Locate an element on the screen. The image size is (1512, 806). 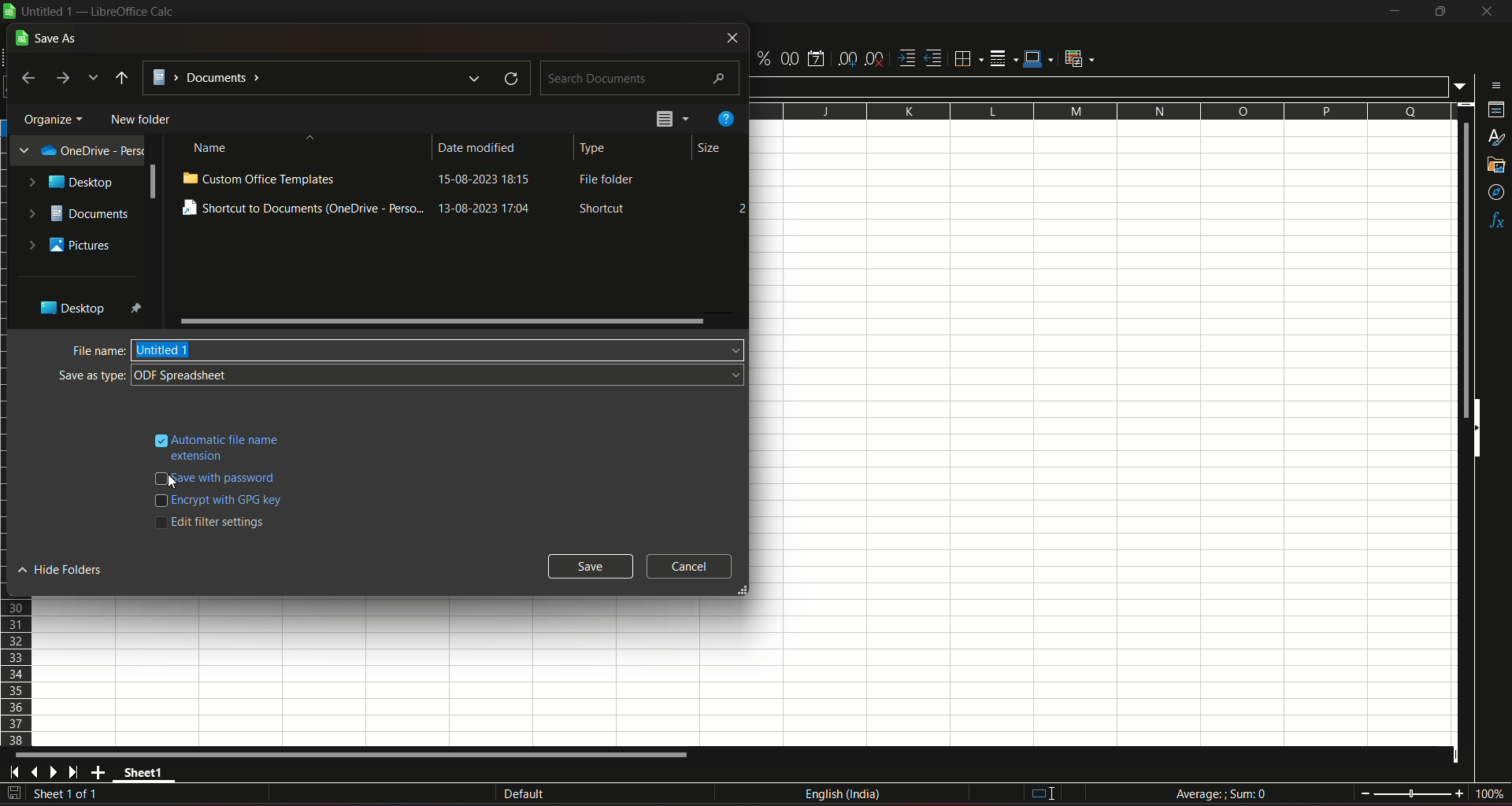
custom office template is located at coordinates (259, 178).